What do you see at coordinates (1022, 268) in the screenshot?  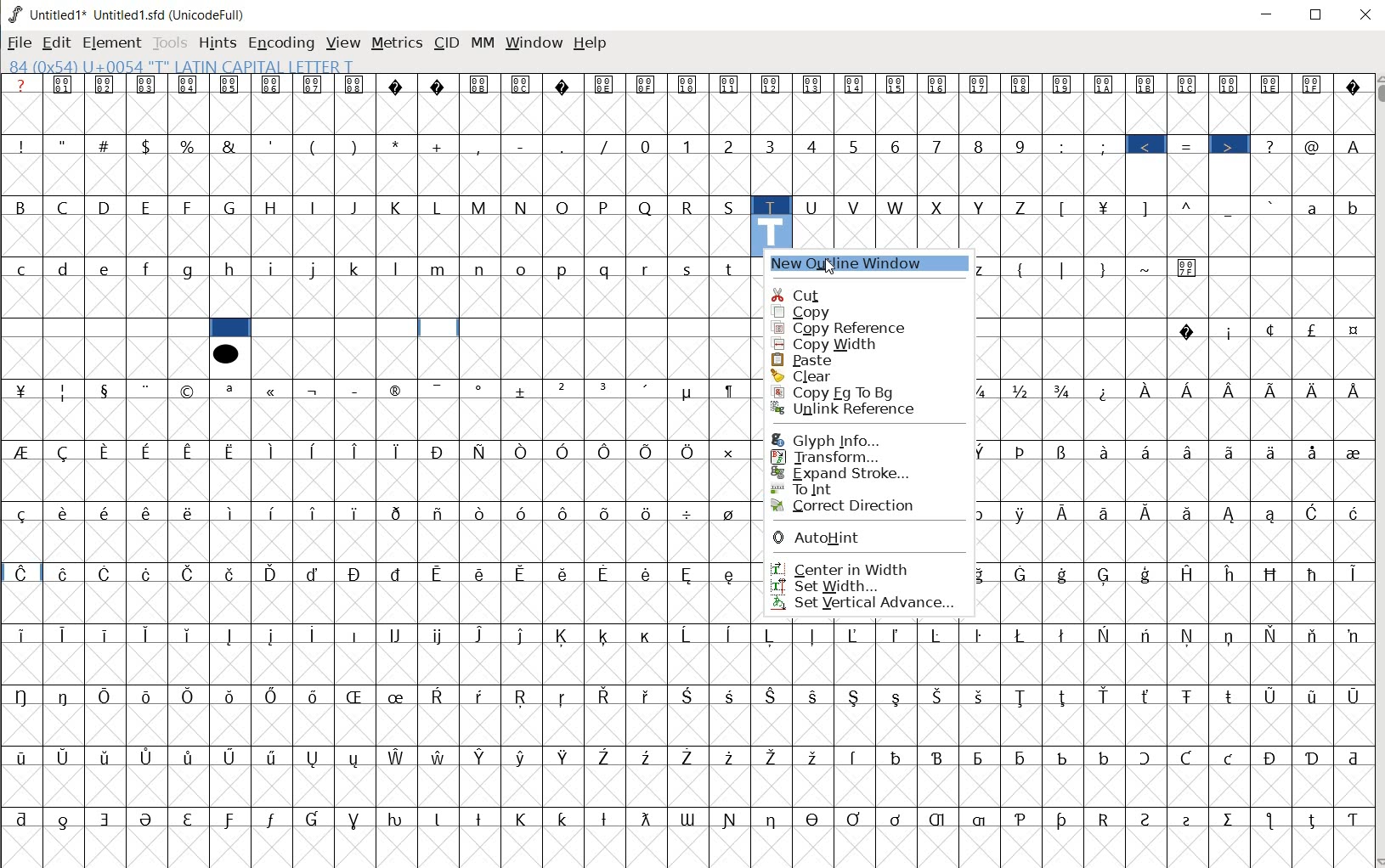 I see `(` at bounding box center [1022, 268].